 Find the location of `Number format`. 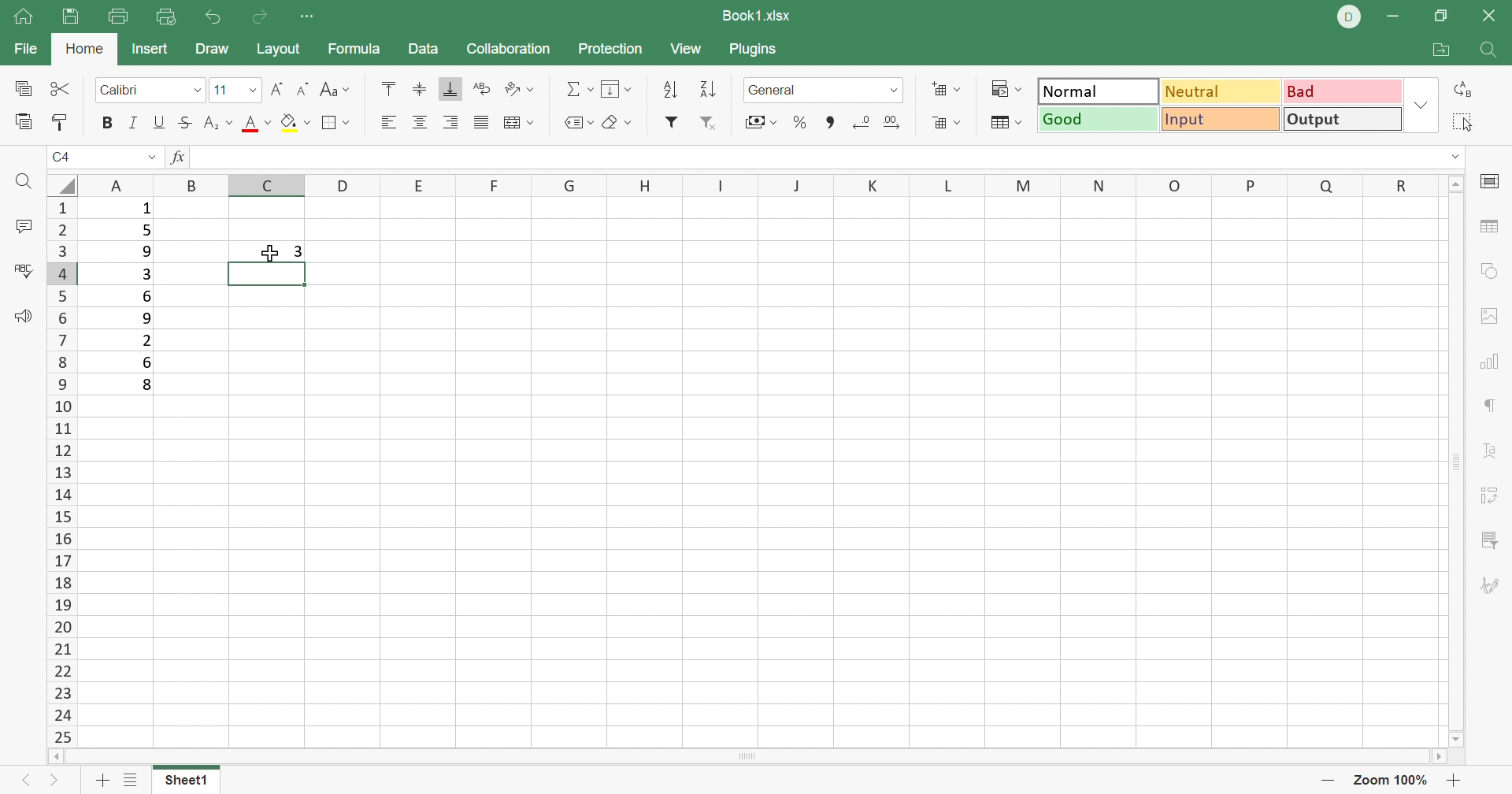

Number format is located at coordinates (822, 90).